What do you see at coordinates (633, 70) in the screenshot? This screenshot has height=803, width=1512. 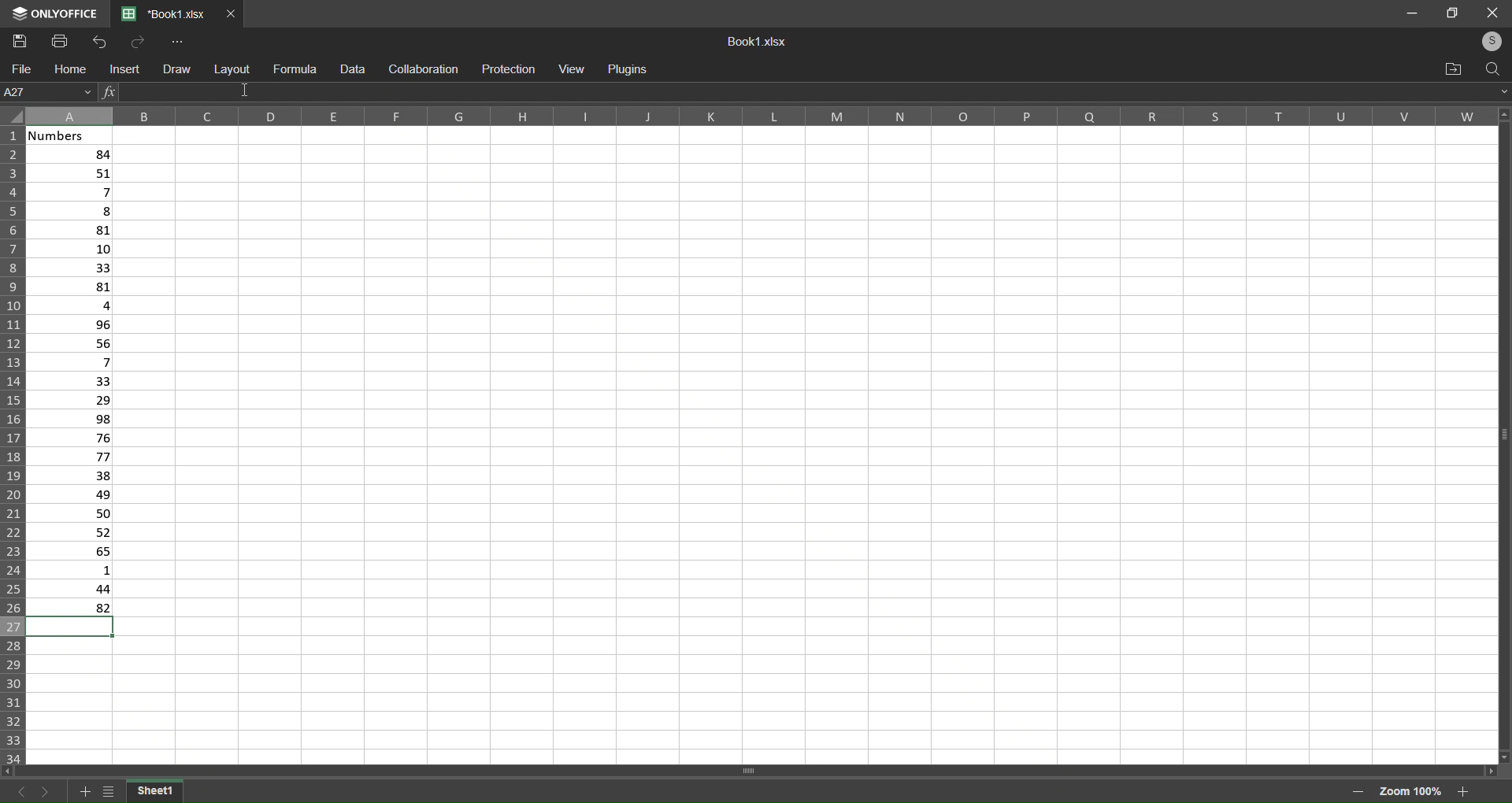 I see `Plugins` at bounding box center [633, 70].